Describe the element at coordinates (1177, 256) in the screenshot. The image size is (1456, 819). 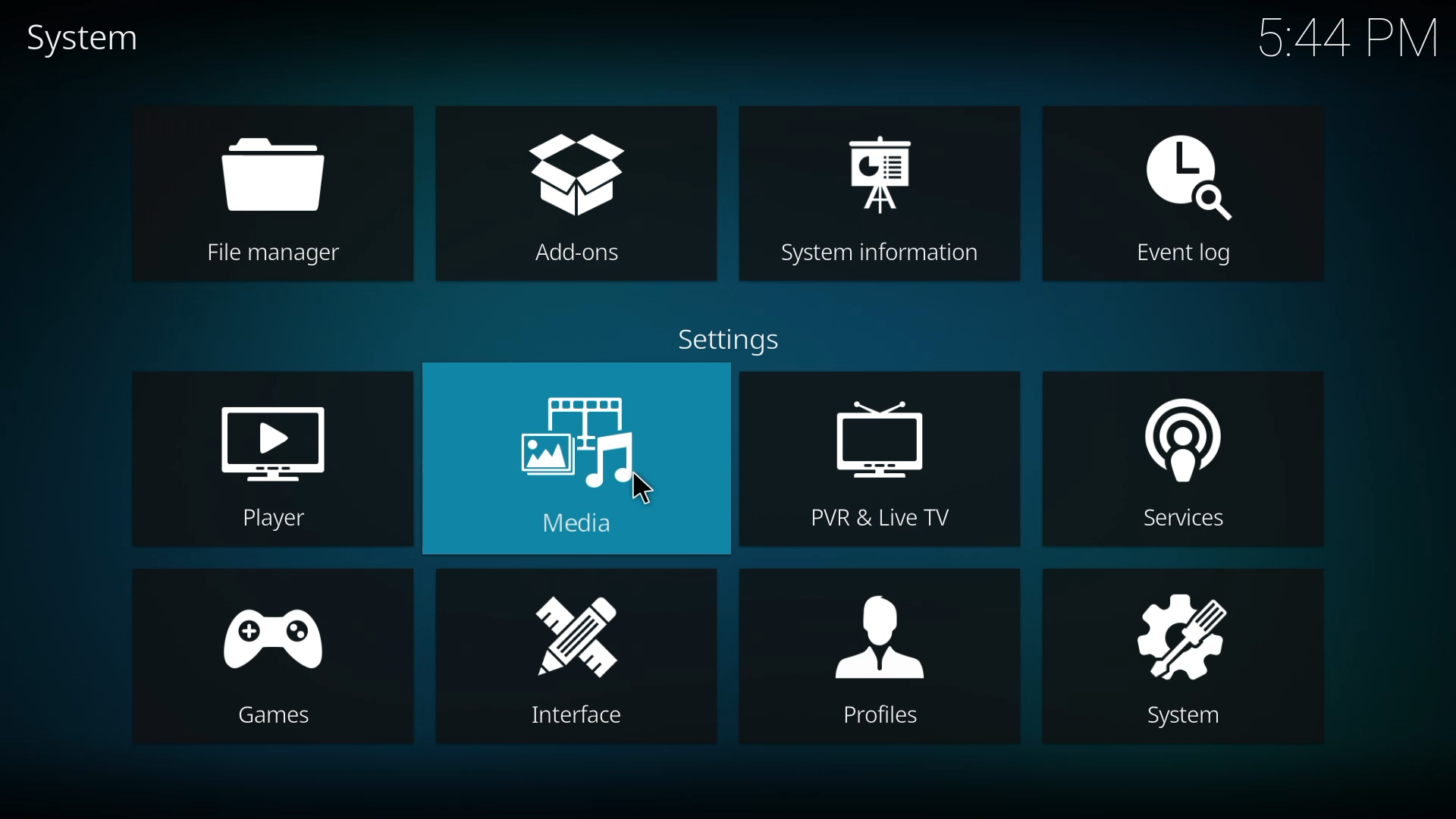
I see `Event log` at that location.